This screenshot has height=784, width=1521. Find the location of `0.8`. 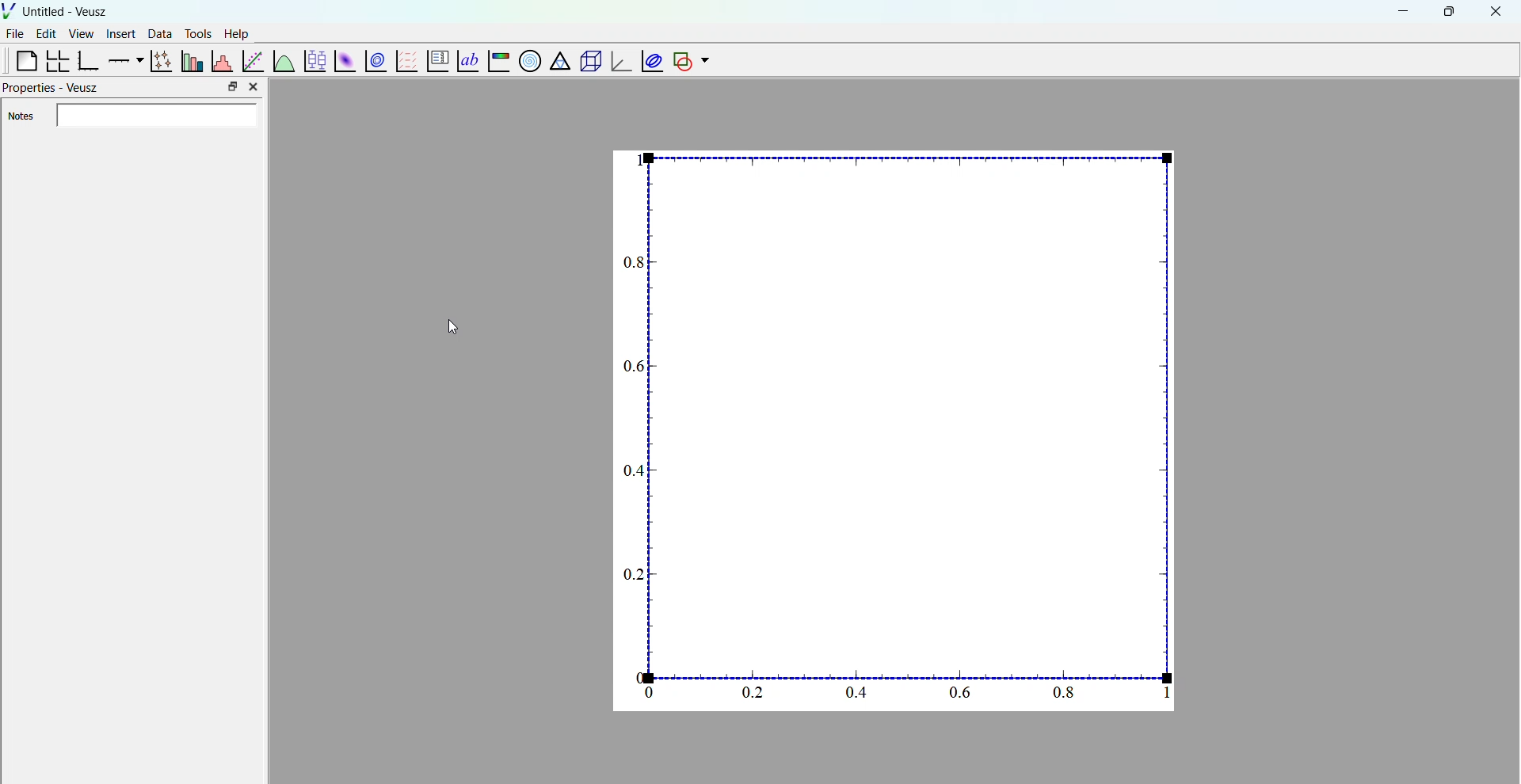

0.8 is located at coordinates (1067, 693).